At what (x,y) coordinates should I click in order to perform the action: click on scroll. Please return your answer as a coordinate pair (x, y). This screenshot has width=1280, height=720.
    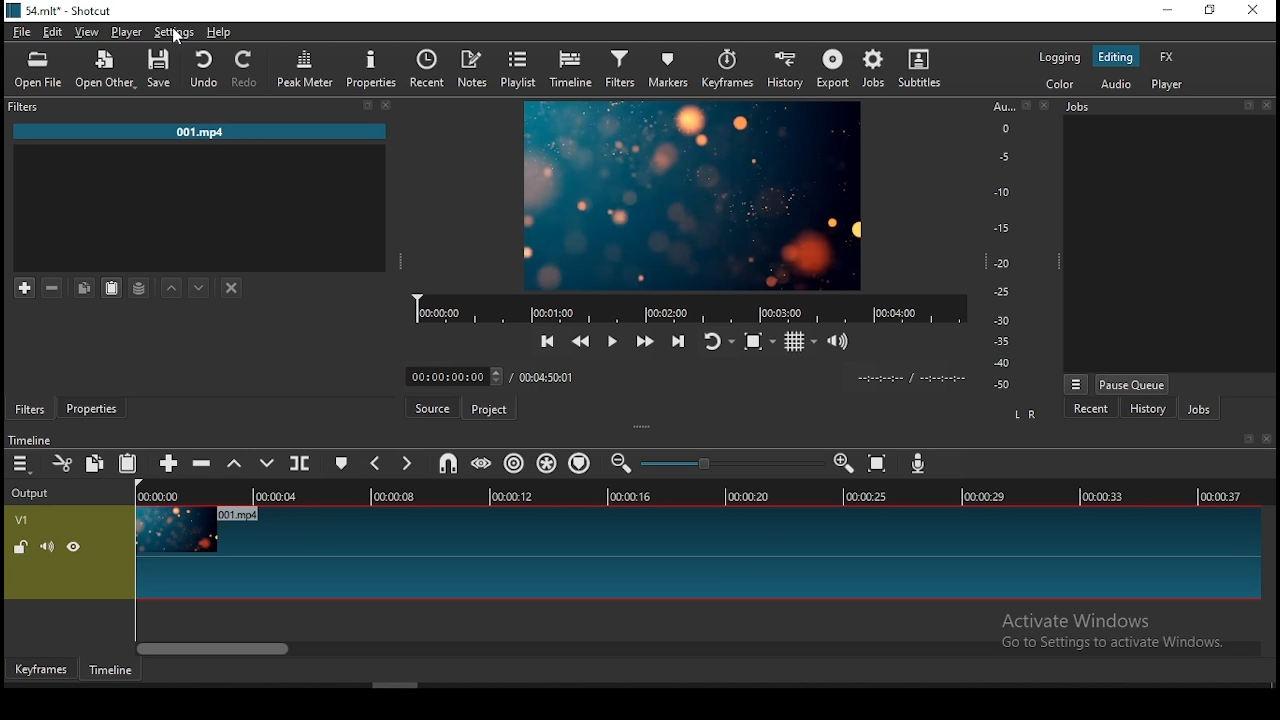
    Looking at the image, I should click on (395, 685).